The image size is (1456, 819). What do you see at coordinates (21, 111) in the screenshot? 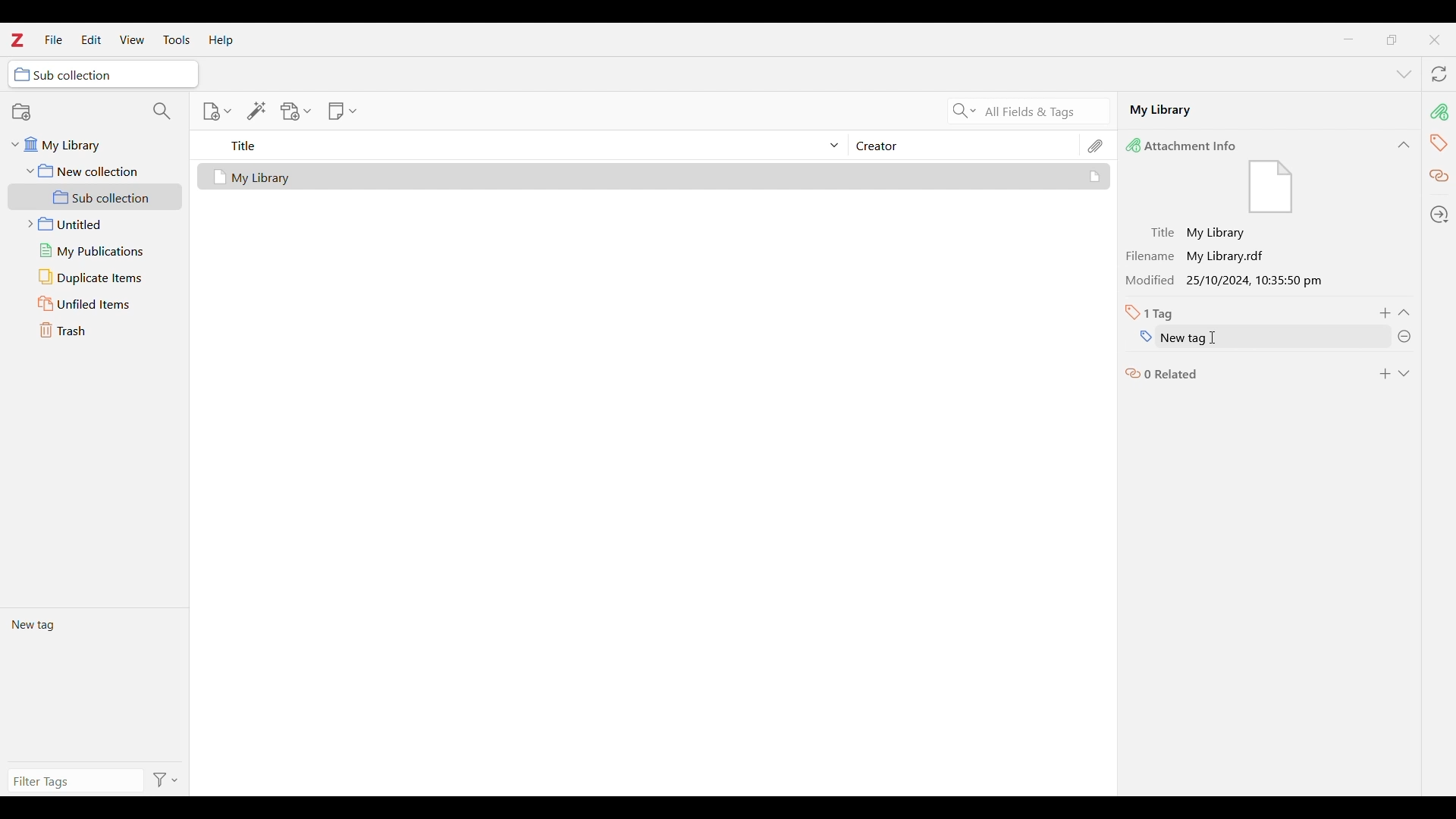
I see `New collection` at bounding box center [21, 111].